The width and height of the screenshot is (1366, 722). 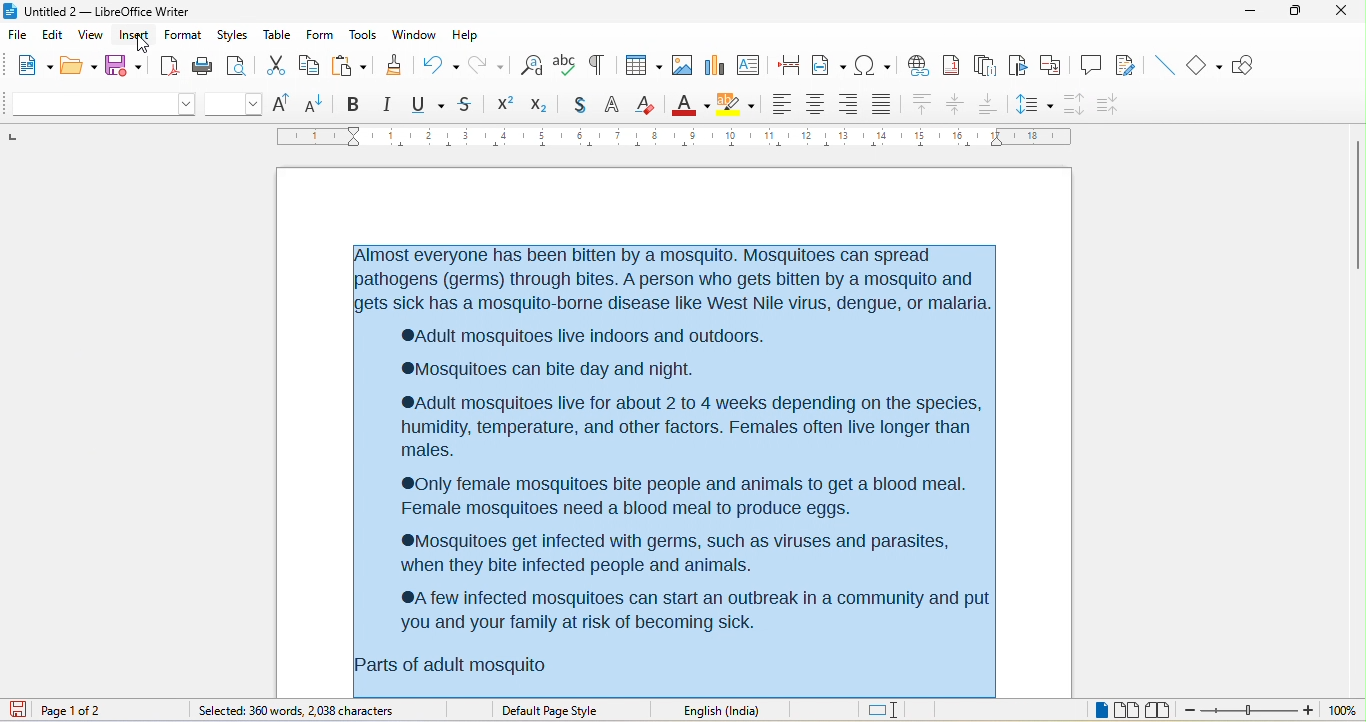 I want to click on zoom level, so click(x=1342, y=711).